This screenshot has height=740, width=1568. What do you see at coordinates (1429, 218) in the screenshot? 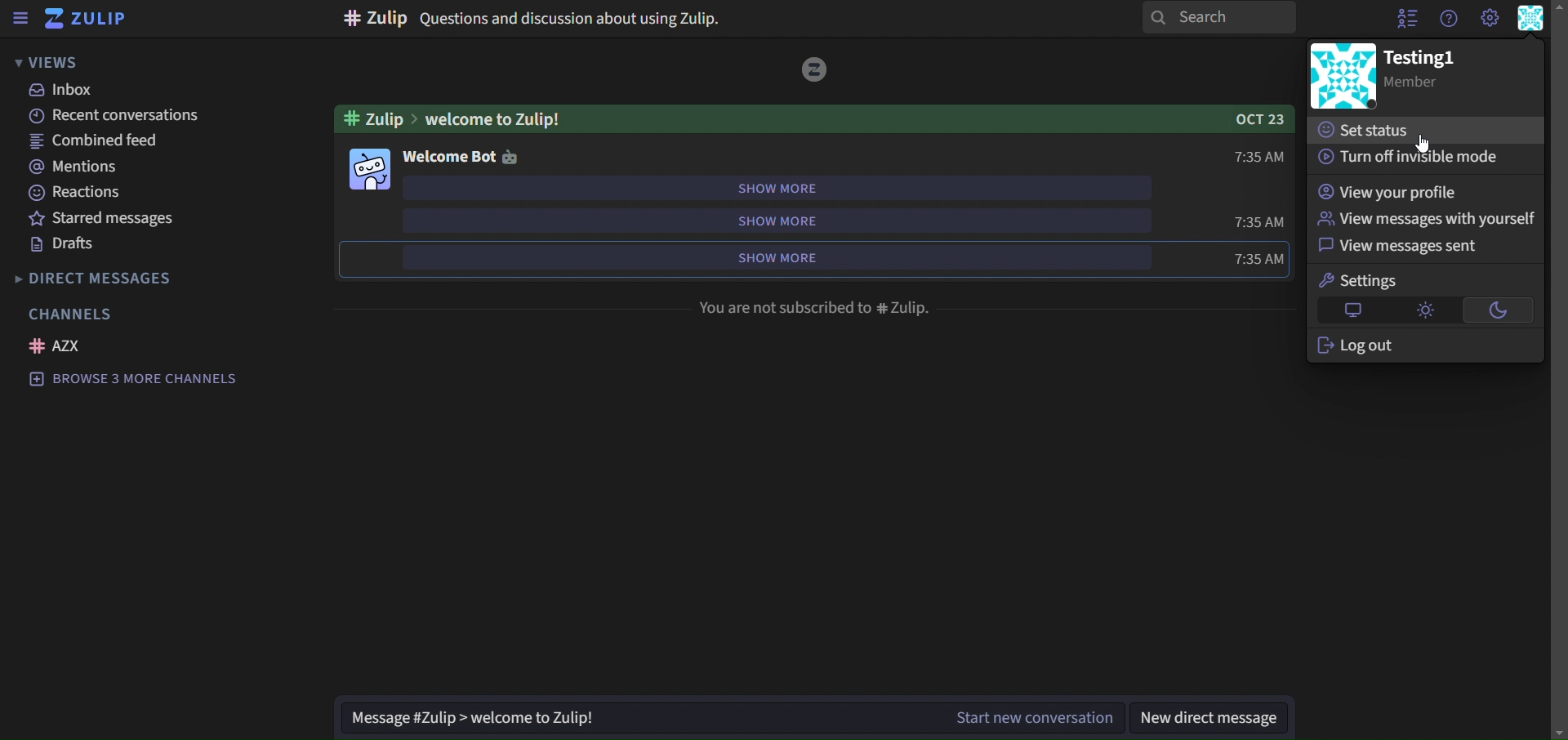
I see `view messages with yourself` at bounding box center [1429, 218].